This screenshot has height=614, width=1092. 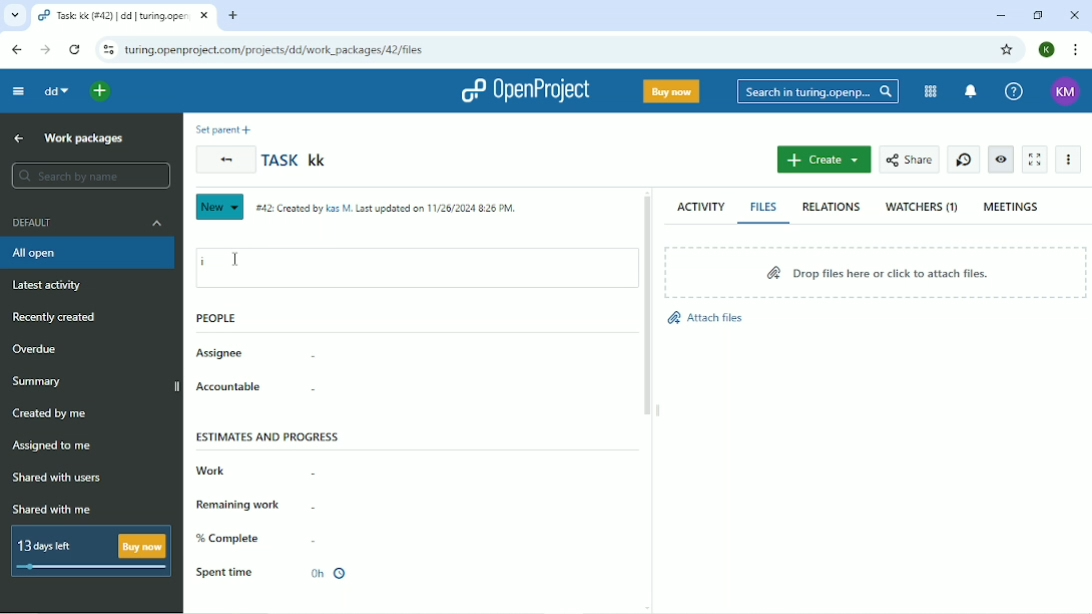 I want to click on Work, so click(x=260, y=471).